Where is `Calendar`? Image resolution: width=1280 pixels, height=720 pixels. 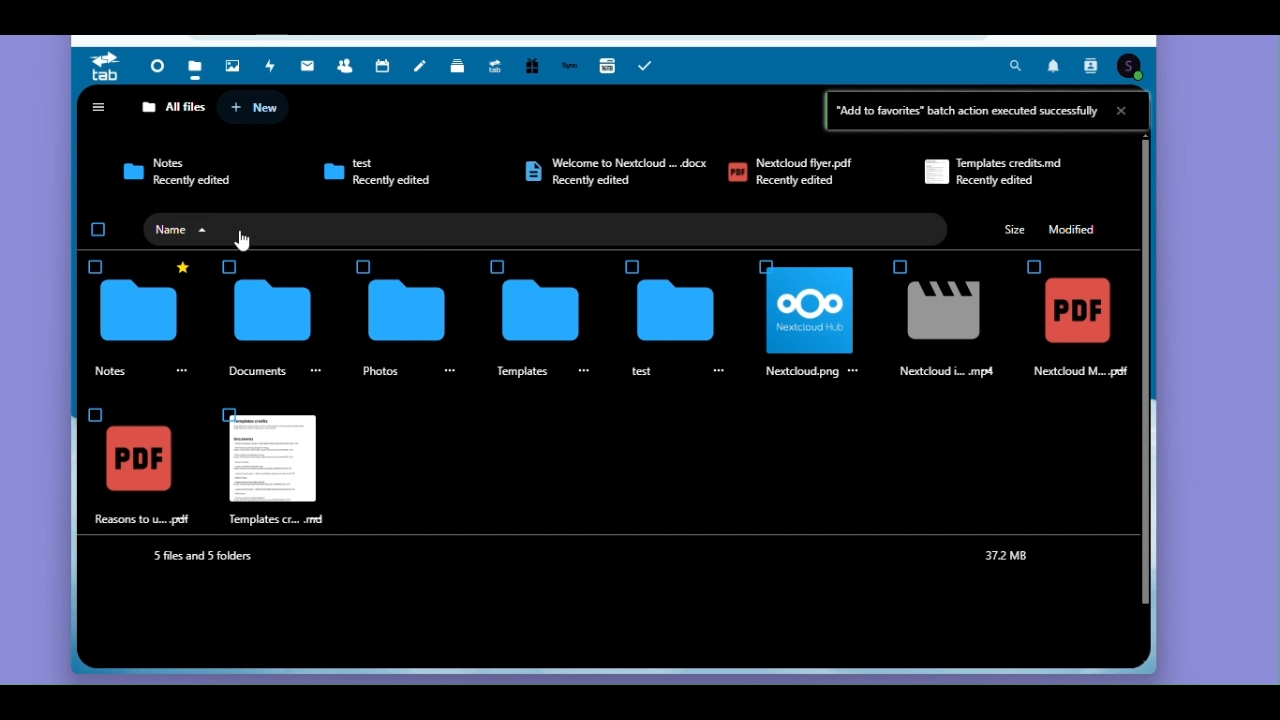
Calendar is located at coordinates (381, 66).